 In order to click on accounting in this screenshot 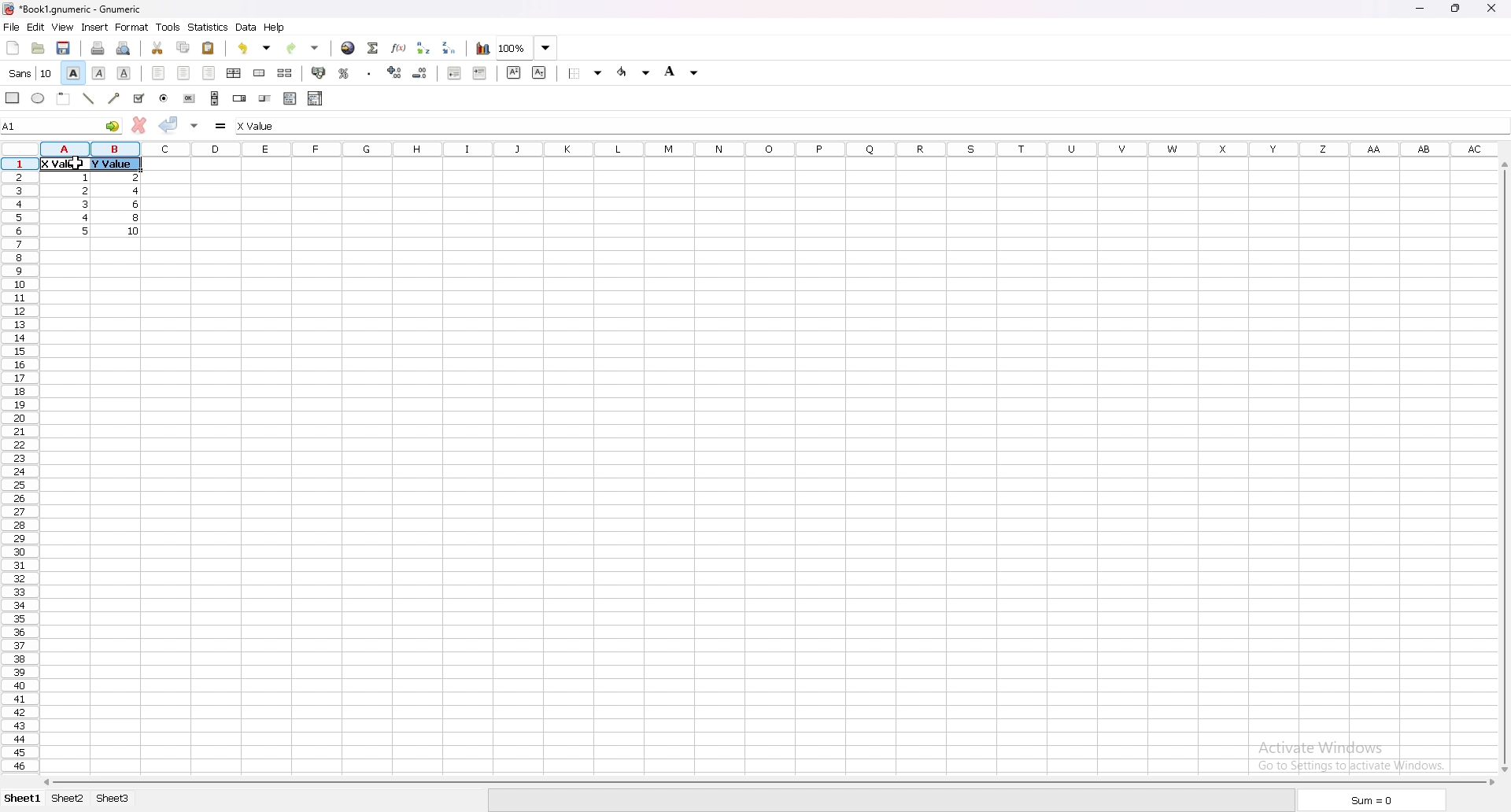, I will do `click(320, 72)`.